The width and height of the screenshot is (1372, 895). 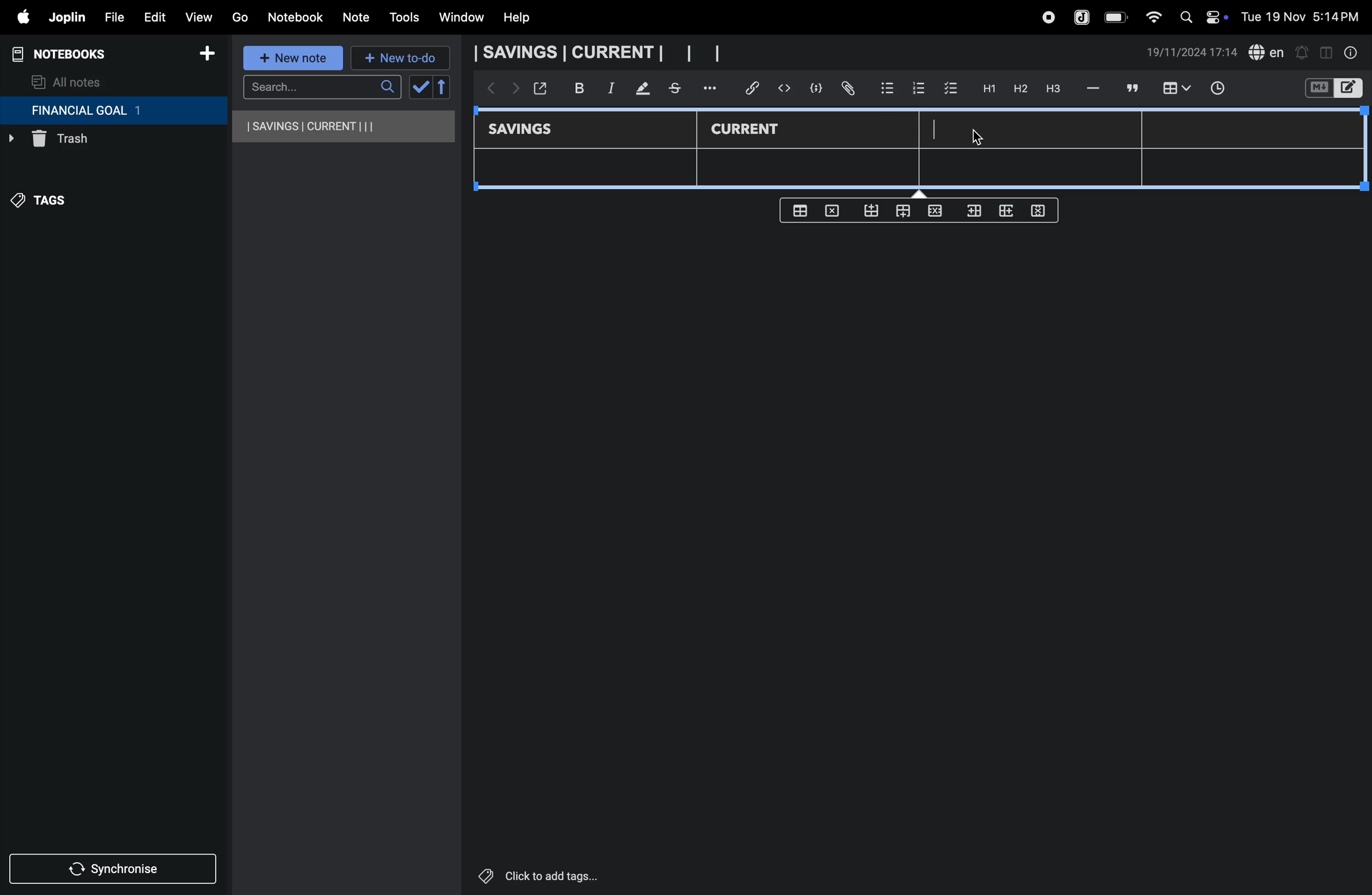 What do you see at coordinates (785, 88) in the screenshot?
I see `insert code` at bounding box center [785, 88].